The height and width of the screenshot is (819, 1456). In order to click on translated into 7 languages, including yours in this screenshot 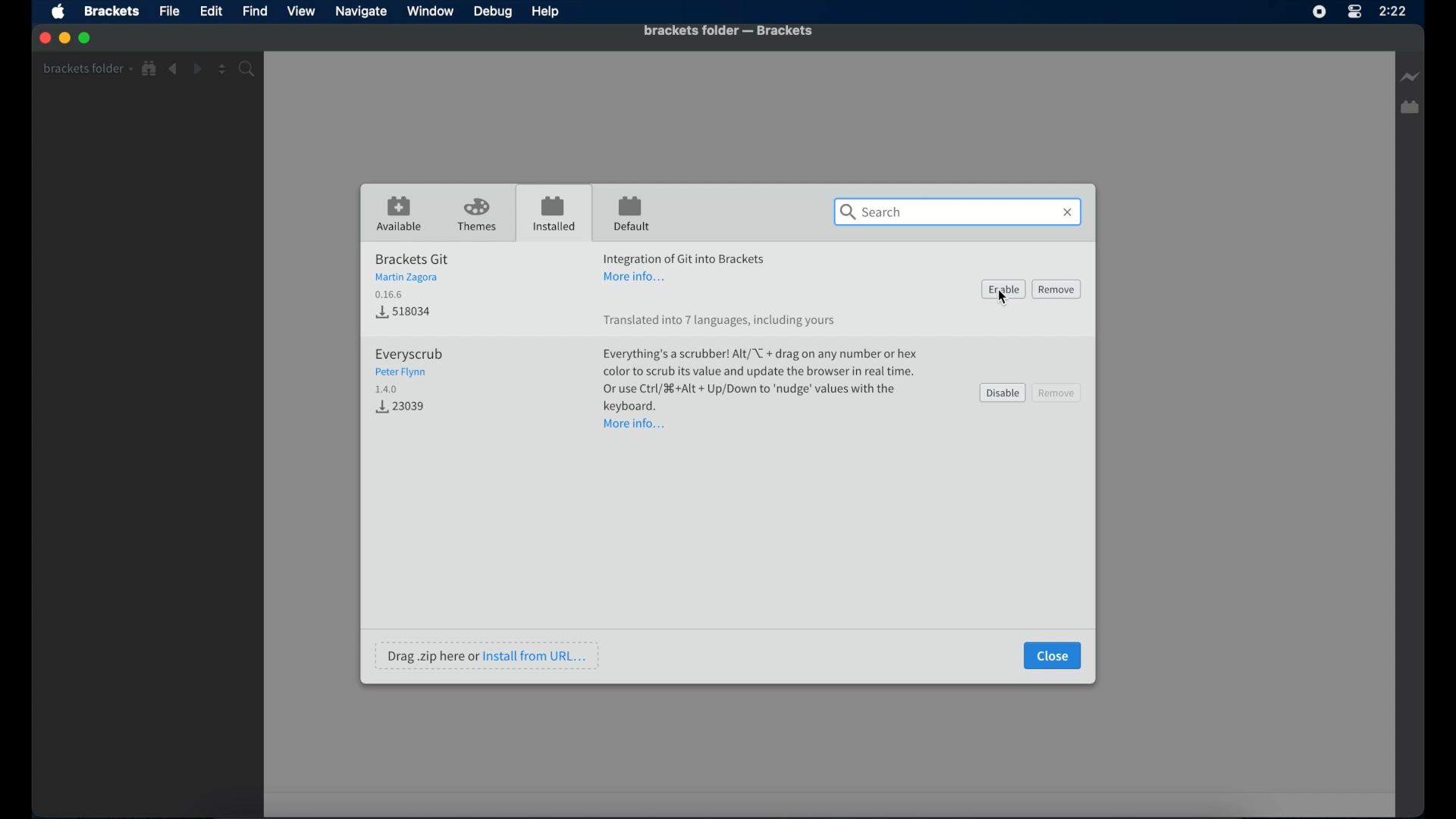, I will do `click(720, 322)`.